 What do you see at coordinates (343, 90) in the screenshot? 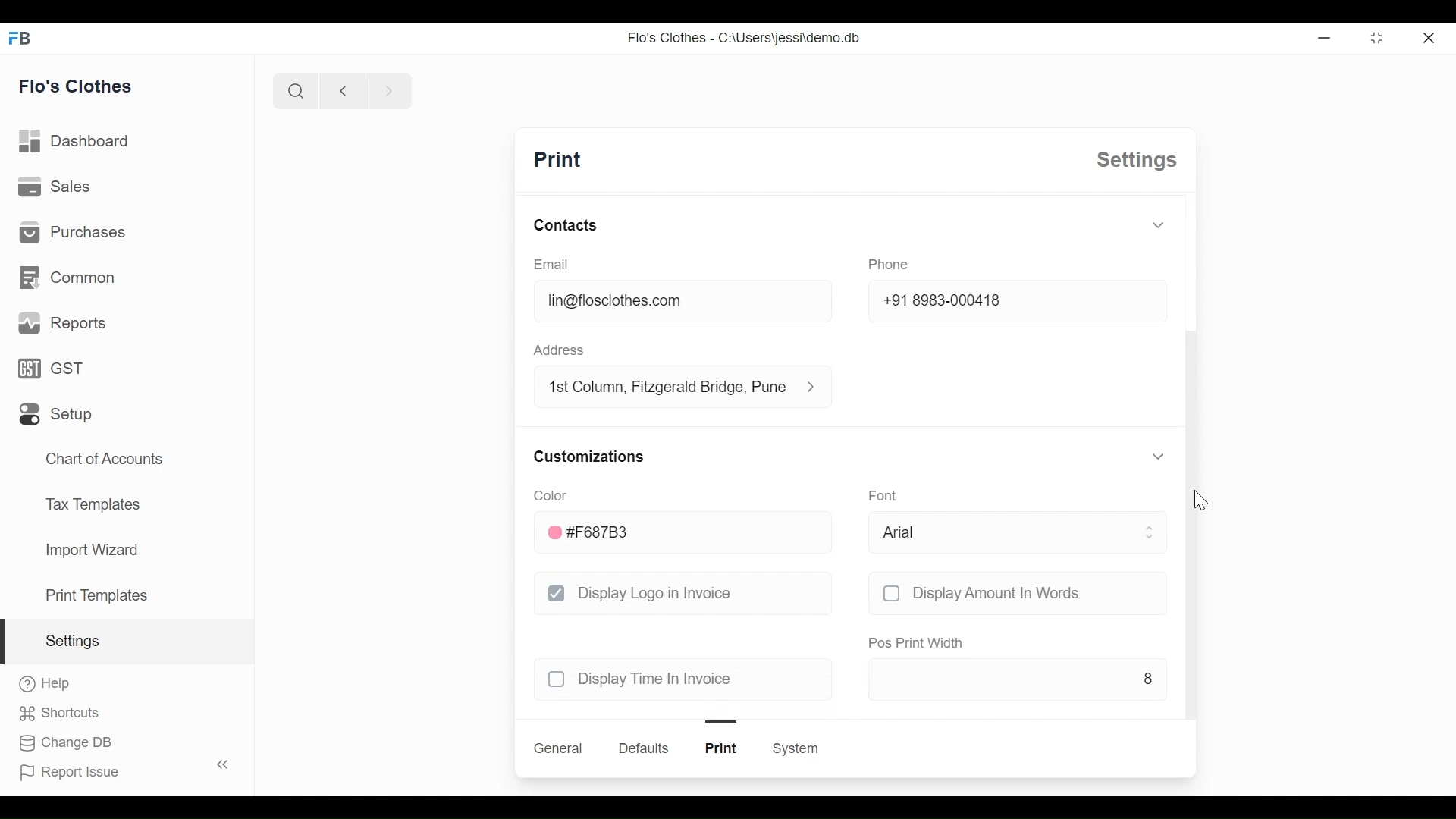
I see `previous` at bounding box center [343, 90].